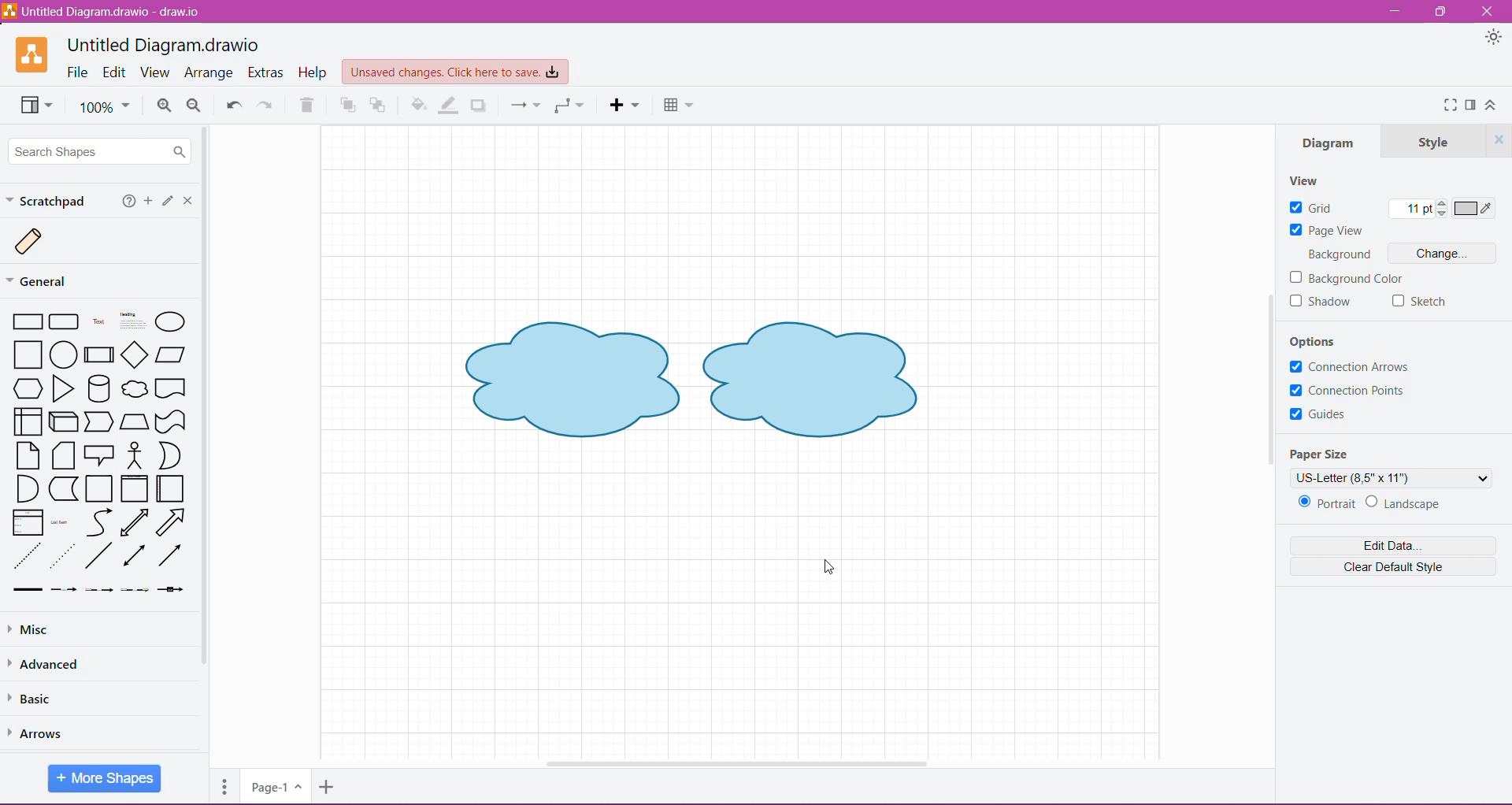  I want to click on View, so click(154, 72).